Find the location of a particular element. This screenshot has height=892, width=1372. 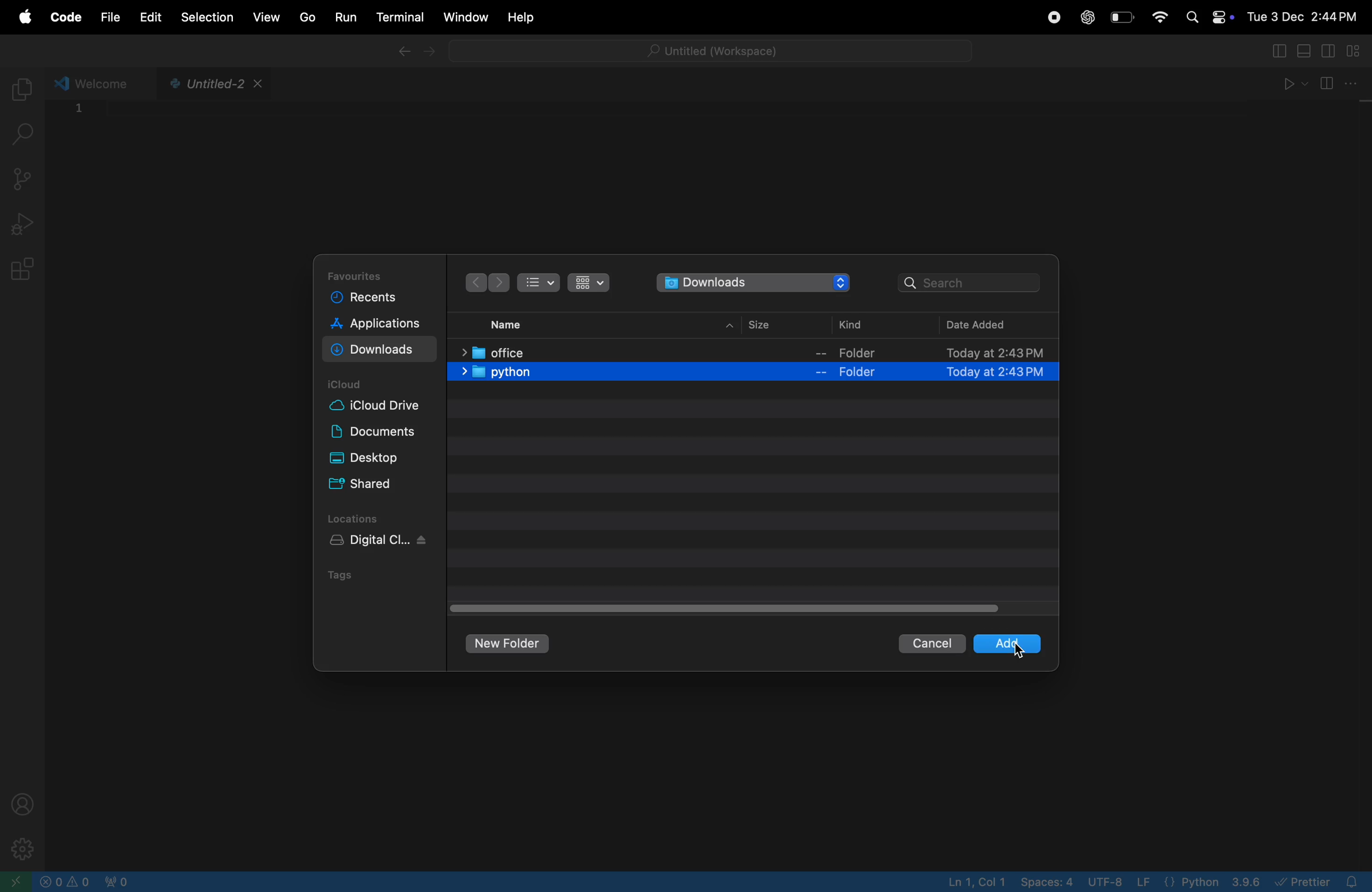

source control is located at coordinates (24, 177).